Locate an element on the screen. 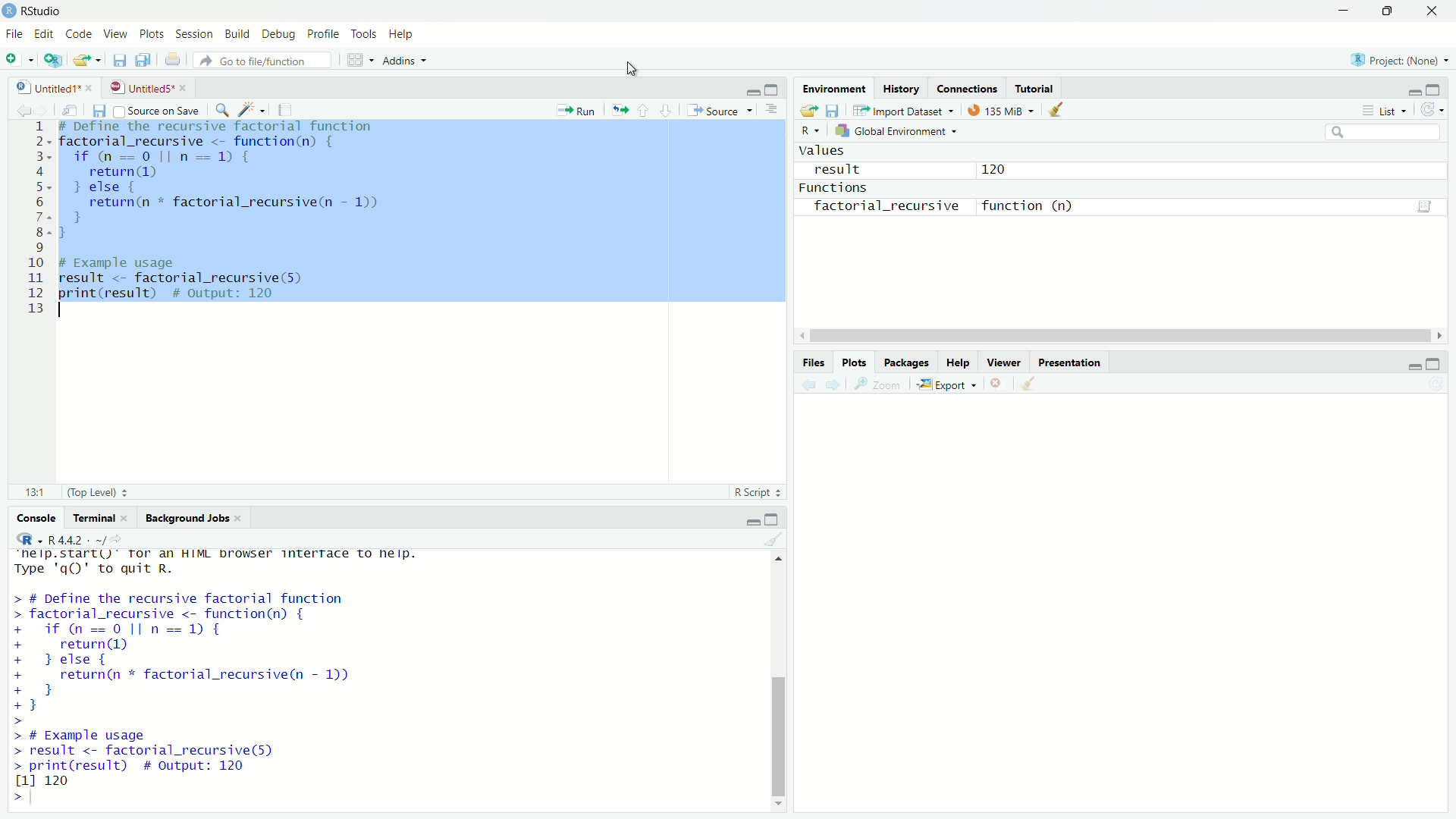  Print the current file is located at coordinates (178, 63).